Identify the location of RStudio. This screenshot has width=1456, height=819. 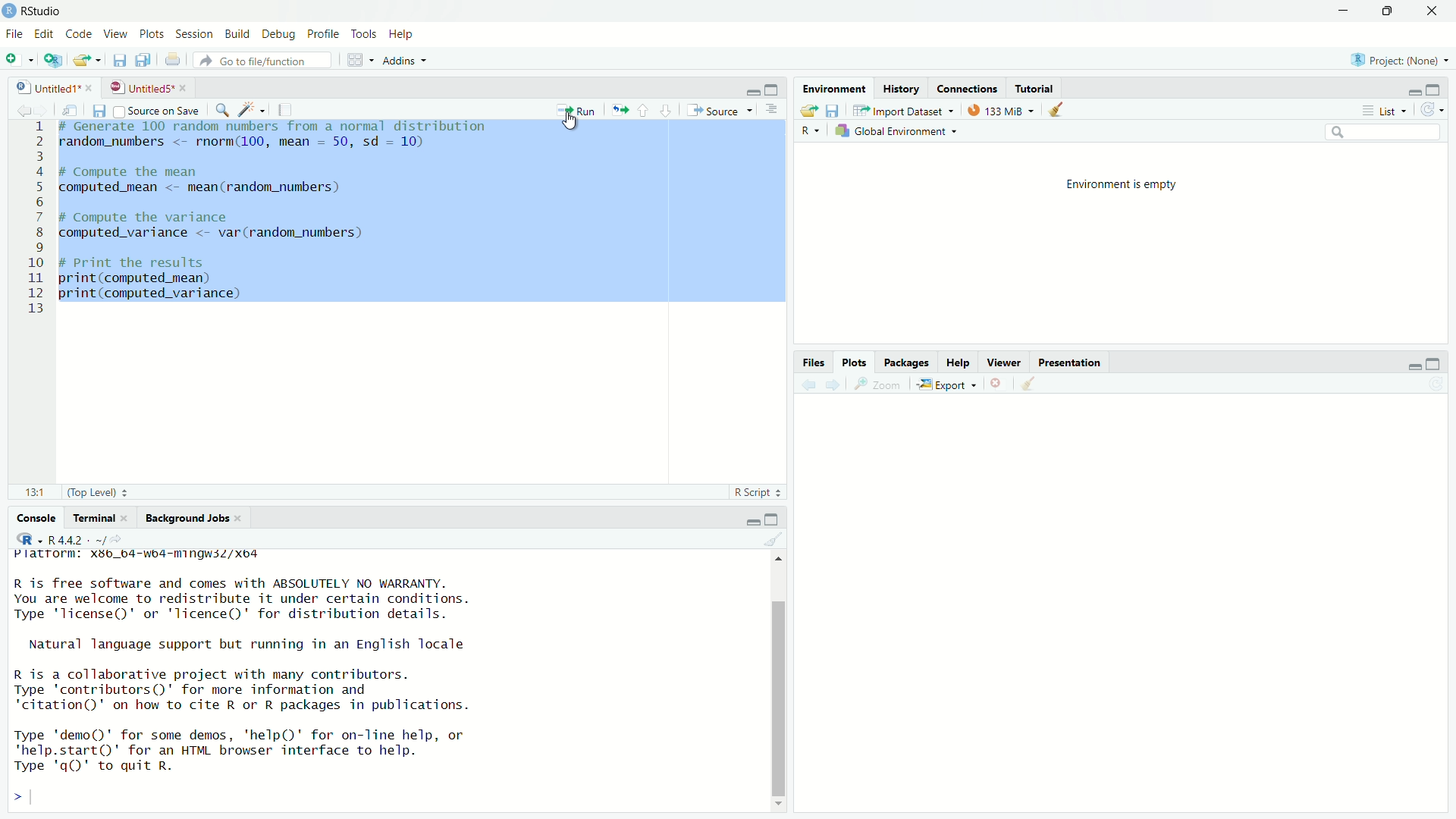
(45, 10).